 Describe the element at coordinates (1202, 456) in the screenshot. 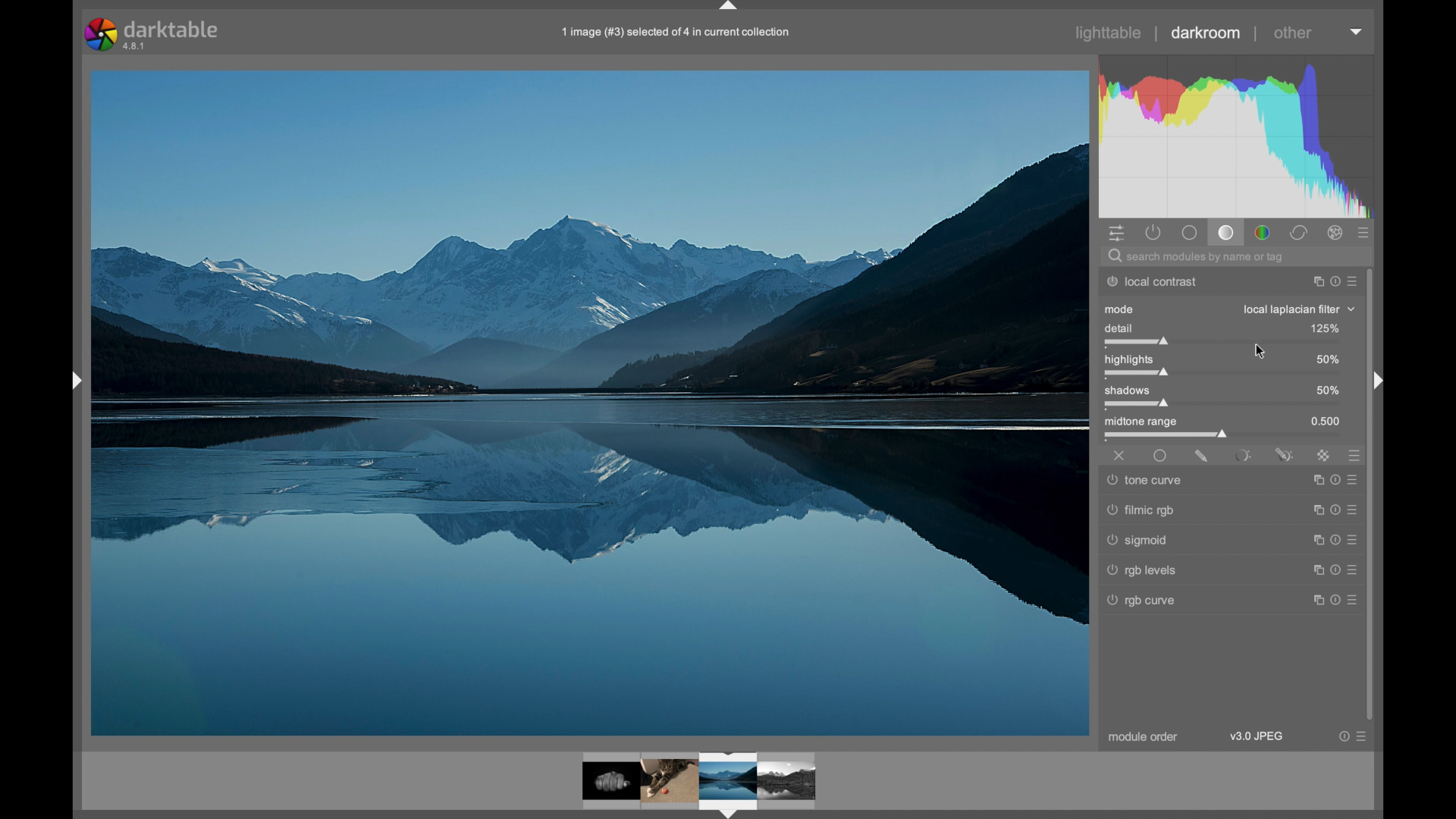

I see `drawn mask` at that location.